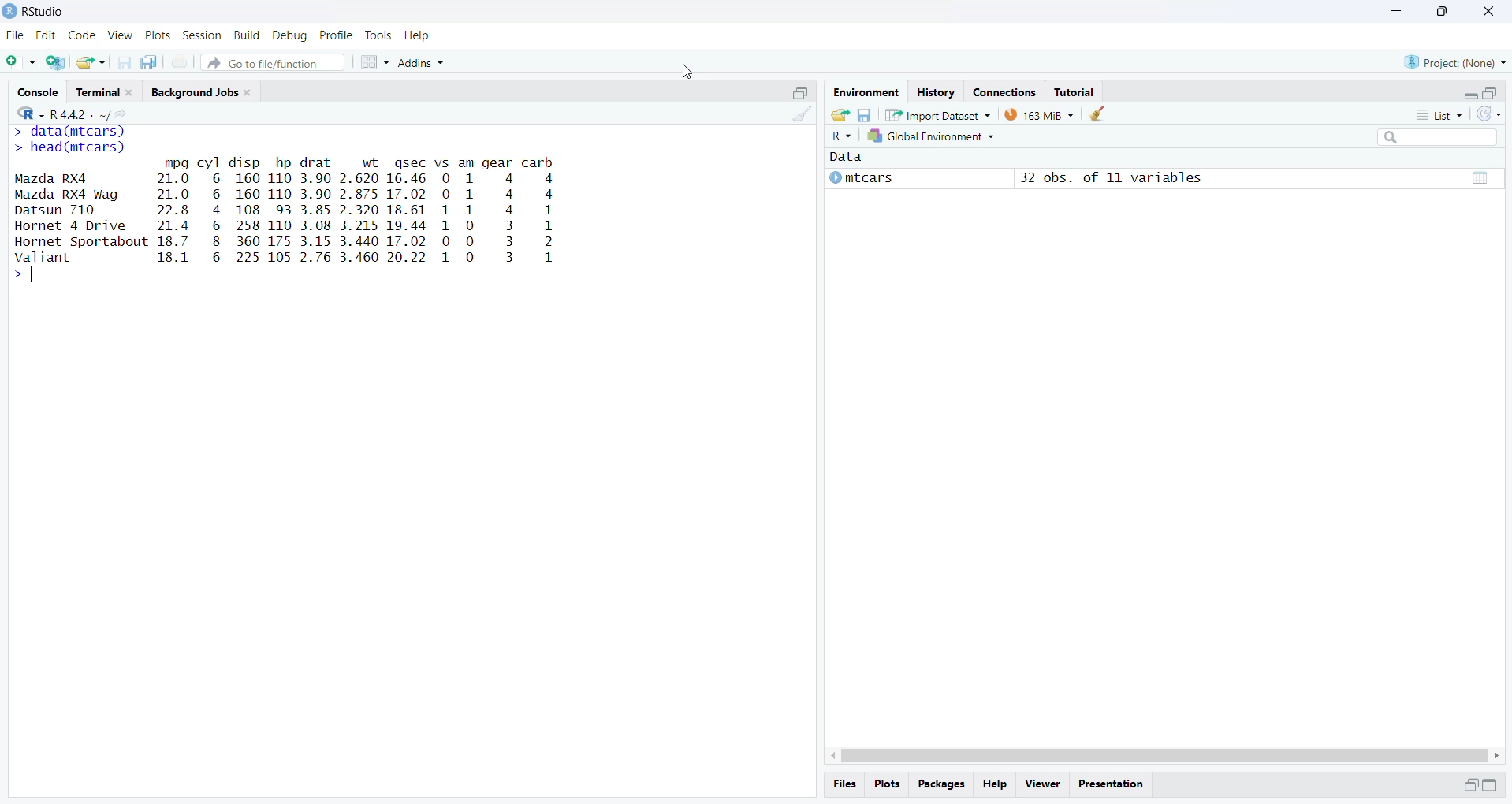  Describe the element at coordinates (417, 35) in the screenshot. I see `help` at that location.